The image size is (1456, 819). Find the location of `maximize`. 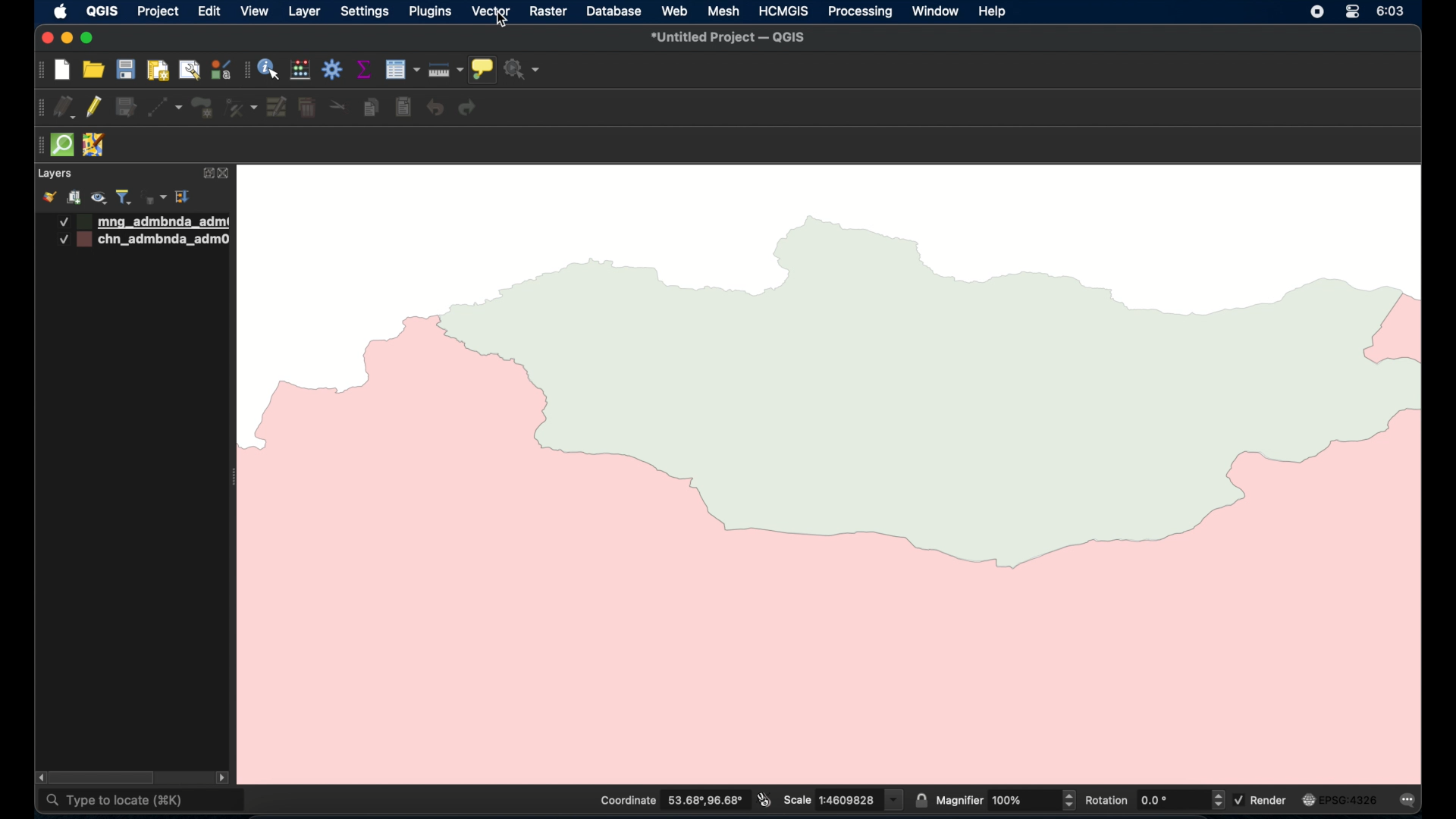

maximize is located at coordinates (86, 39).